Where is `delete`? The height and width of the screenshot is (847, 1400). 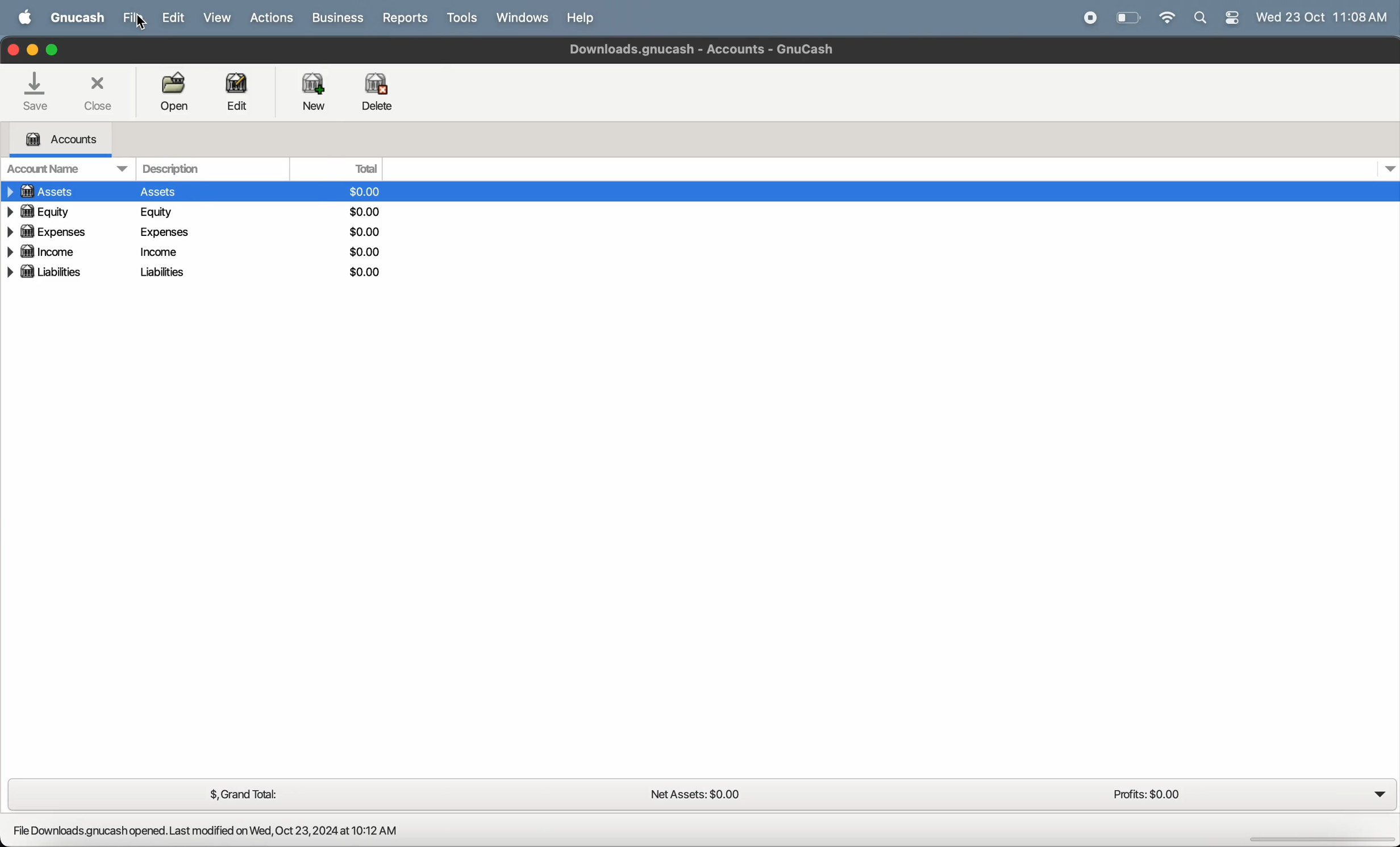
delete is located at coordinates (376, 92).